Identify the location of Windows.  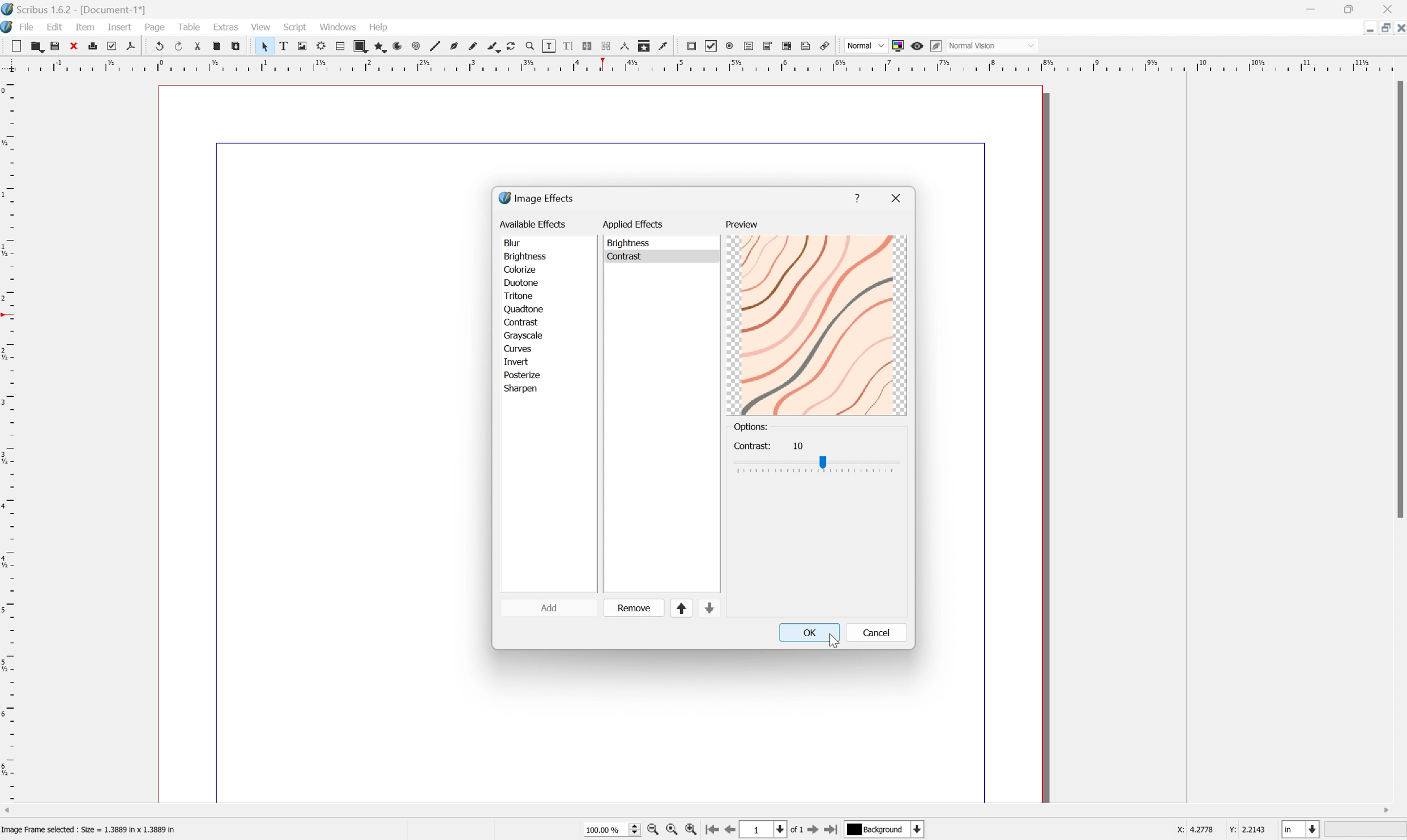
(337, 25).